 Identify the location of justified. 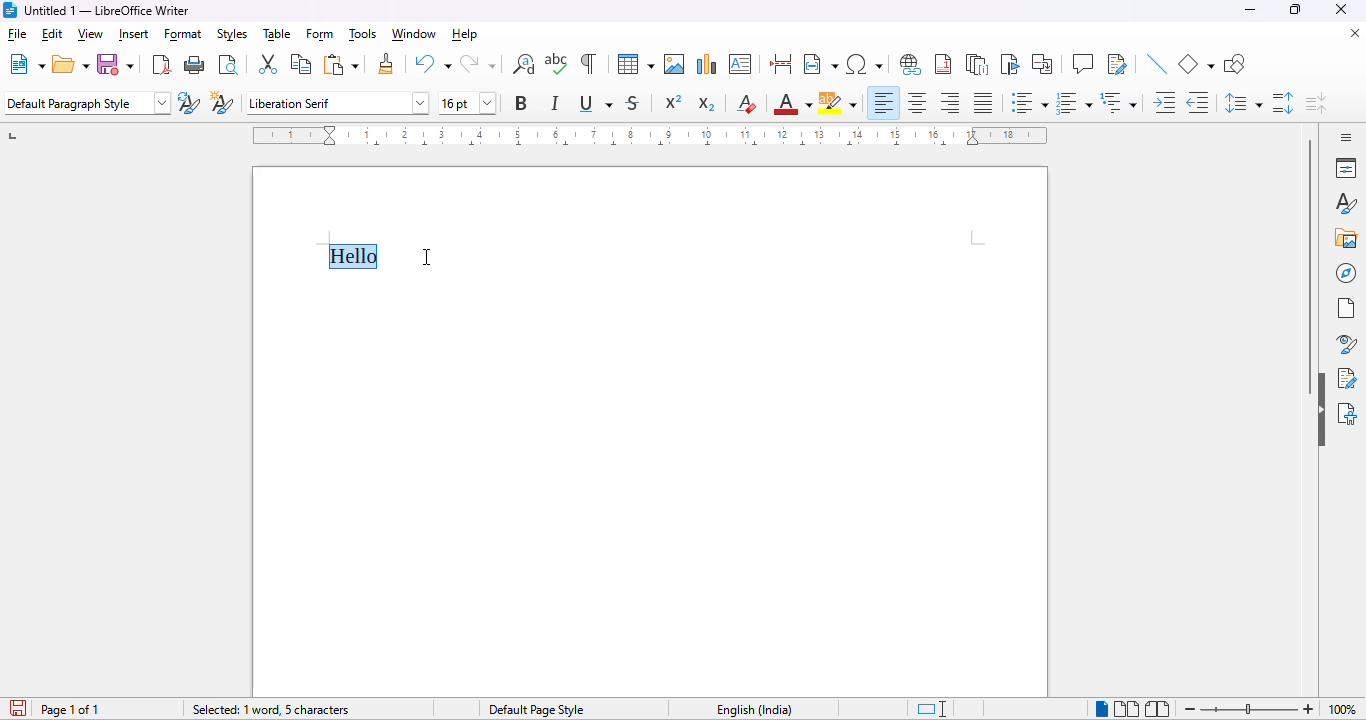
(984, 103).